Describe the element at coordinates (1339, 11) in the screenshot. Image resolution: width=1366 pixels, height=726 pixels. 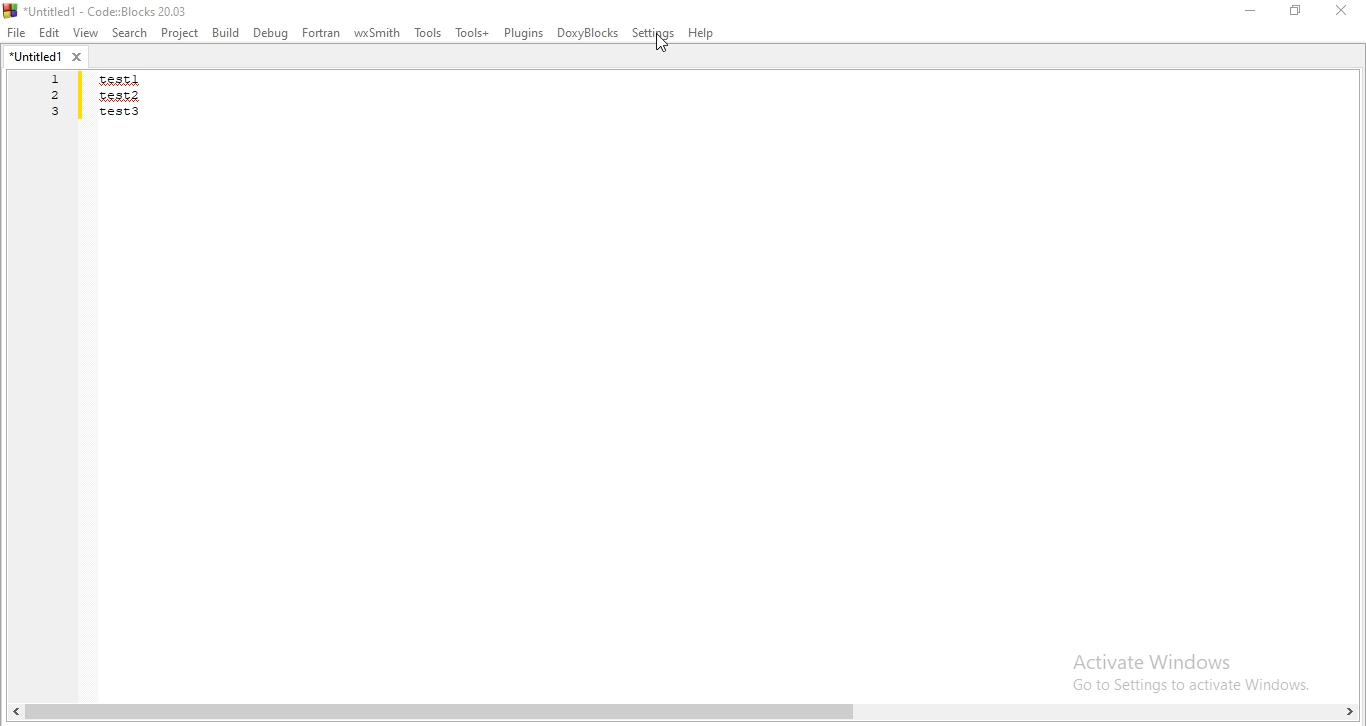
I see `Close` at that location.